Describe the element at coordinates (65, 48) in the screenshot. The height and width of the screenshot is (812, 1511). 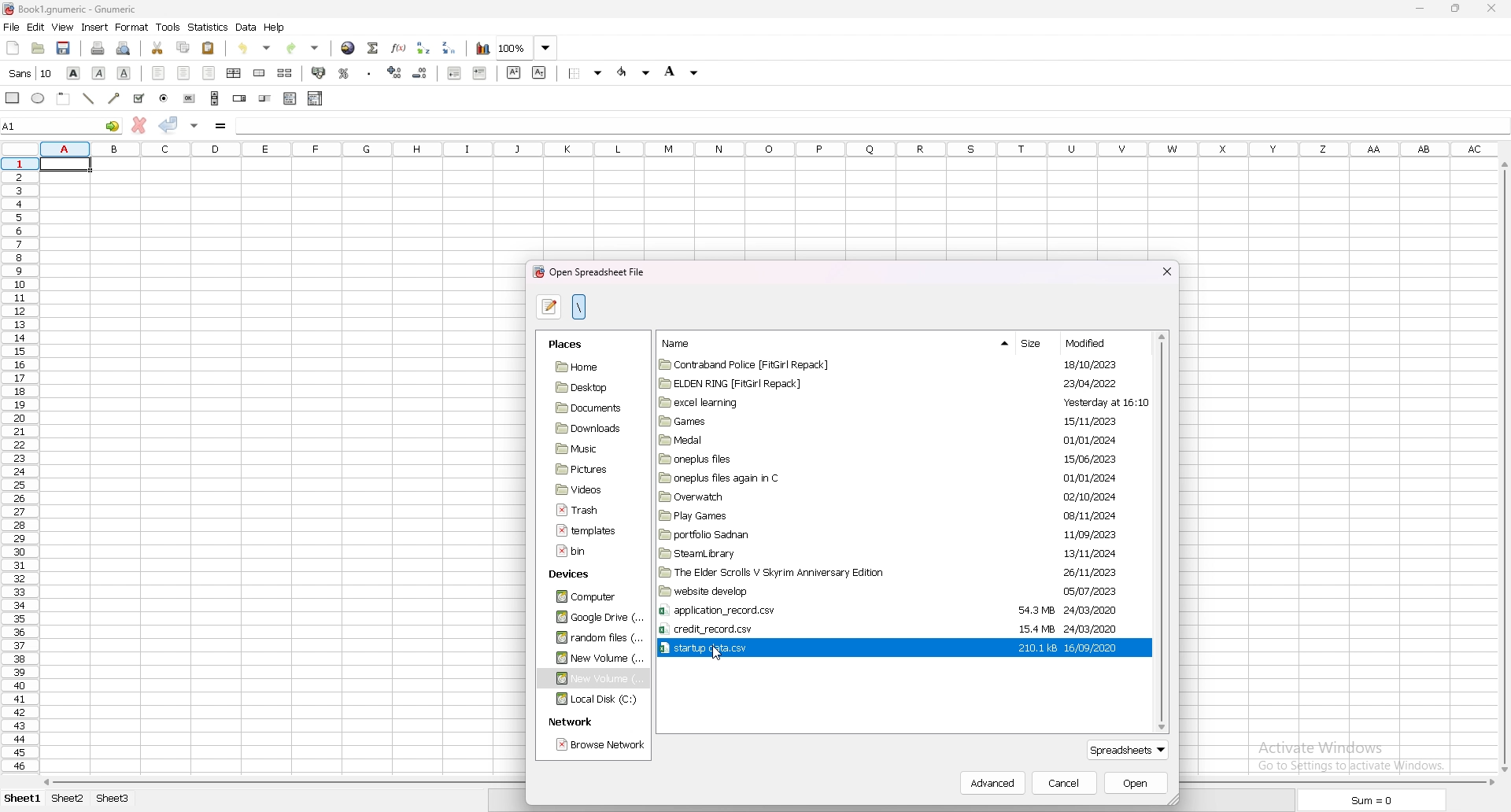
I see `save` at that location.